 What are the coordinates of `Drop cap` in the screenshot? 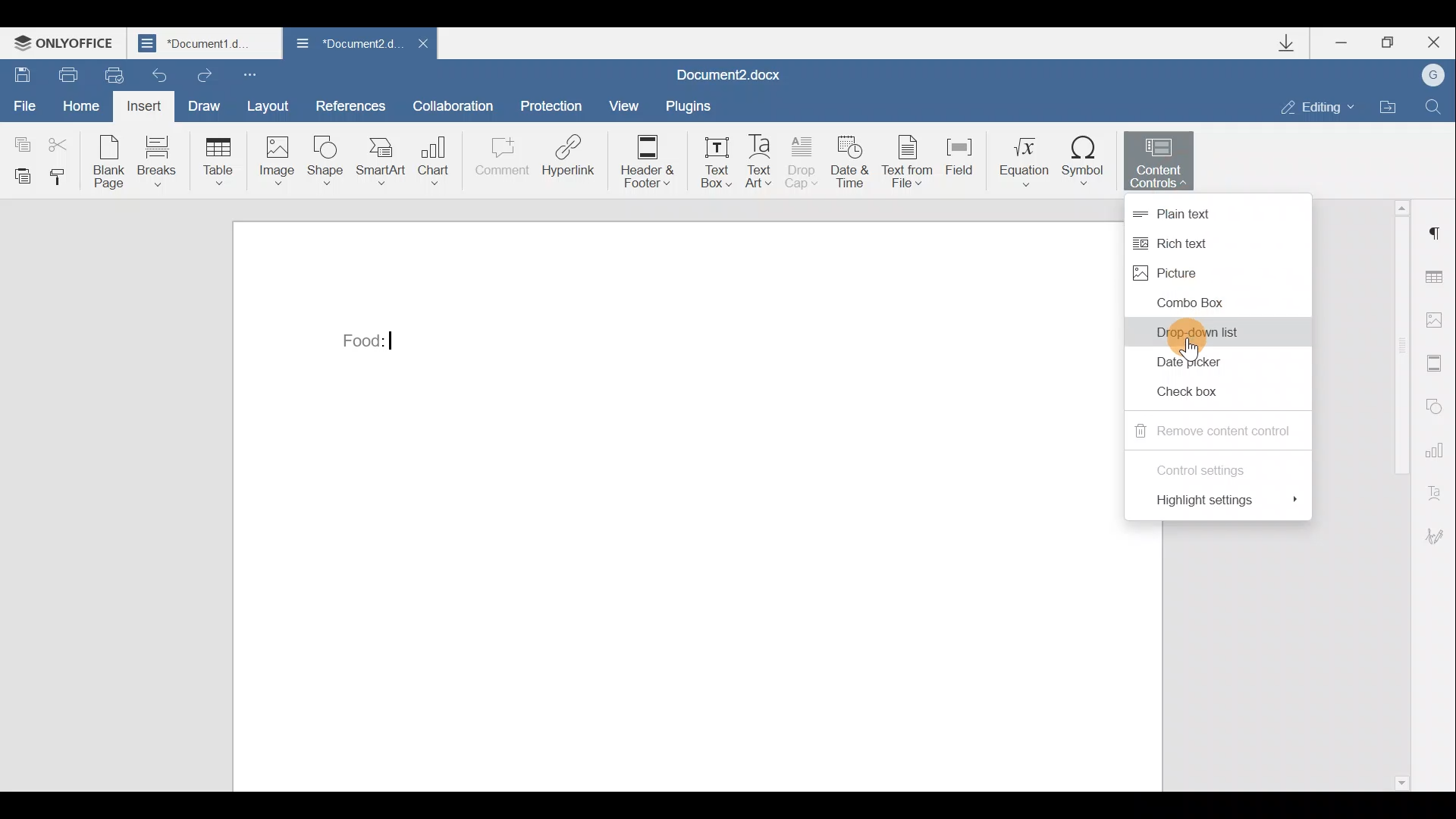 It's located at (802, 164).